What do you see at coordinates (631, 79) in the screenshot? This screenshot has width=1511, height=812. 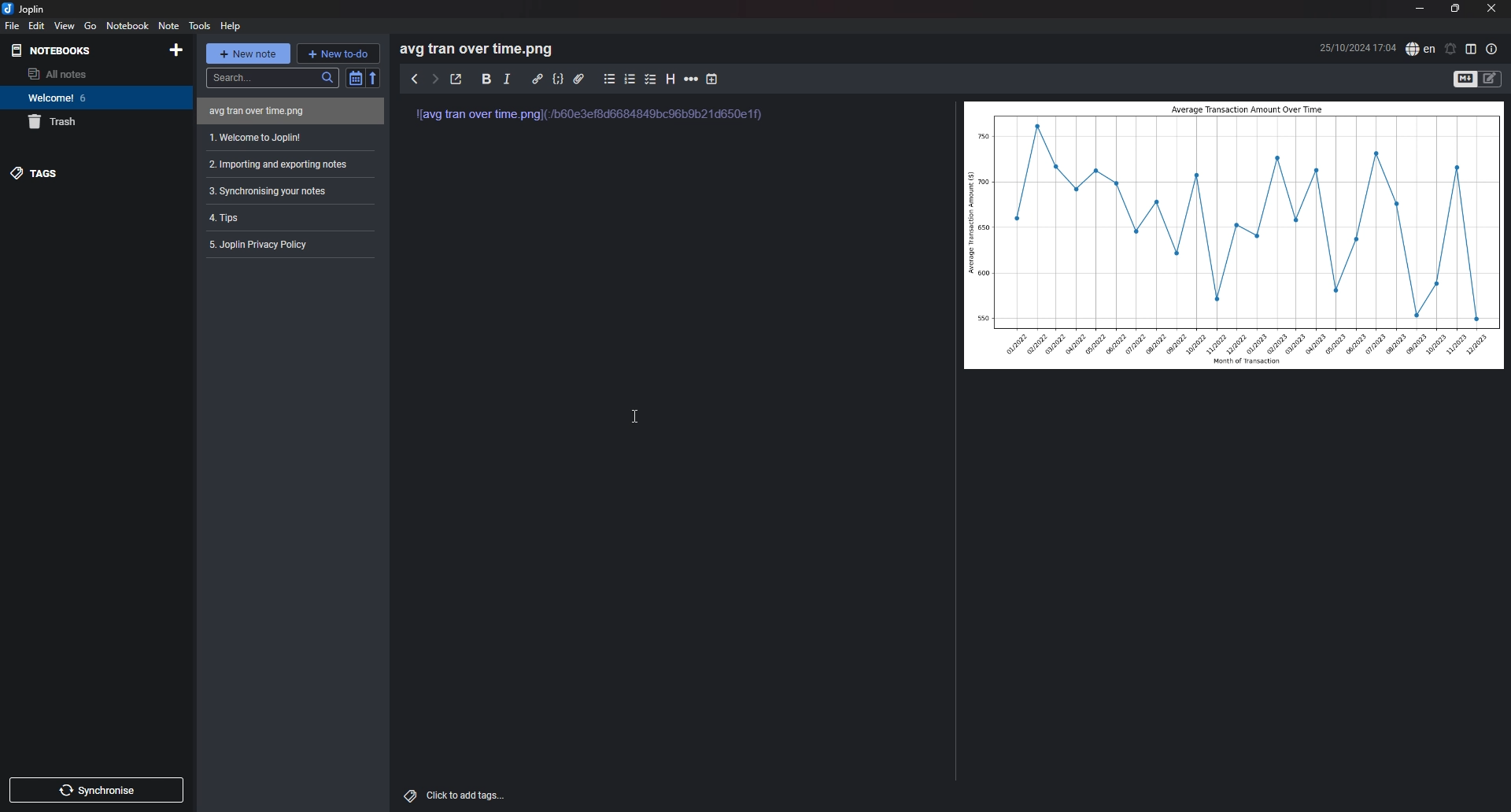 I see `numbered list` at bounding box center [631, 79].